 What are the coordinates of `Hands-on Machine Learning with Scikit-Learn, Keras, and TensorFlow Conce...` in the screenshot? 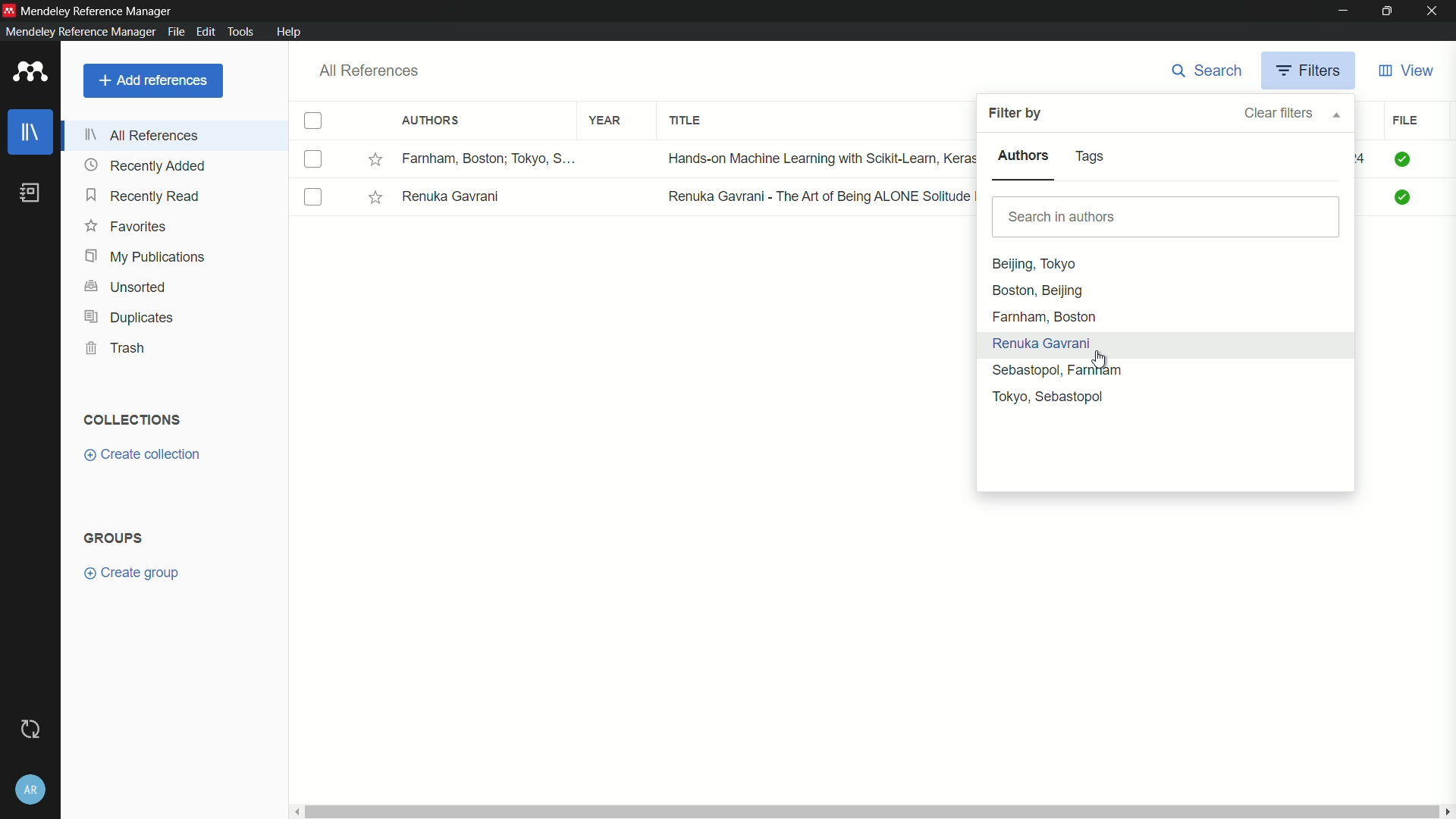 It's located at (819, 157).